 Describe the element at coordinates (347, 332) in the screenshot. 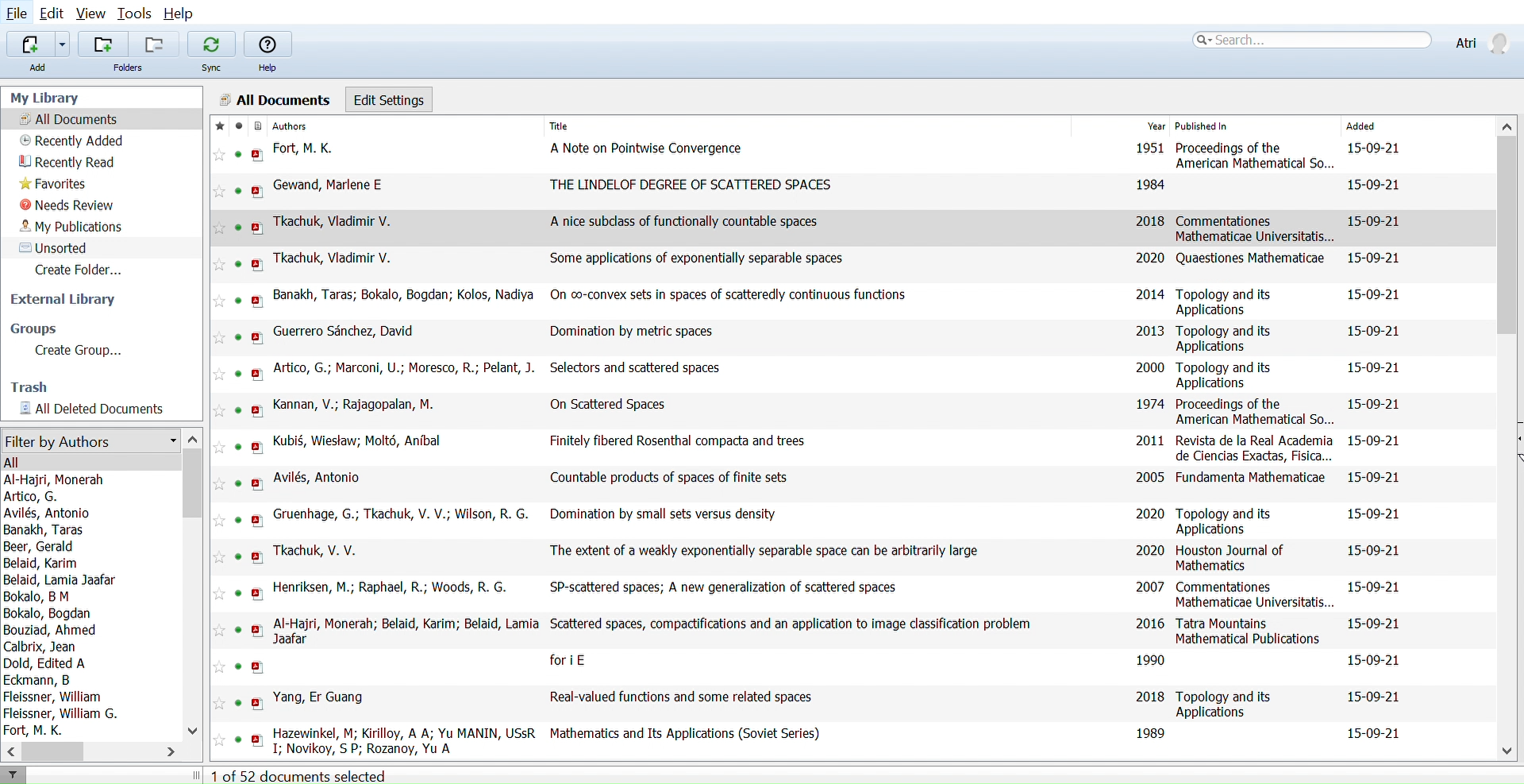

I see `Guerrero Sanchez, David` at that location.